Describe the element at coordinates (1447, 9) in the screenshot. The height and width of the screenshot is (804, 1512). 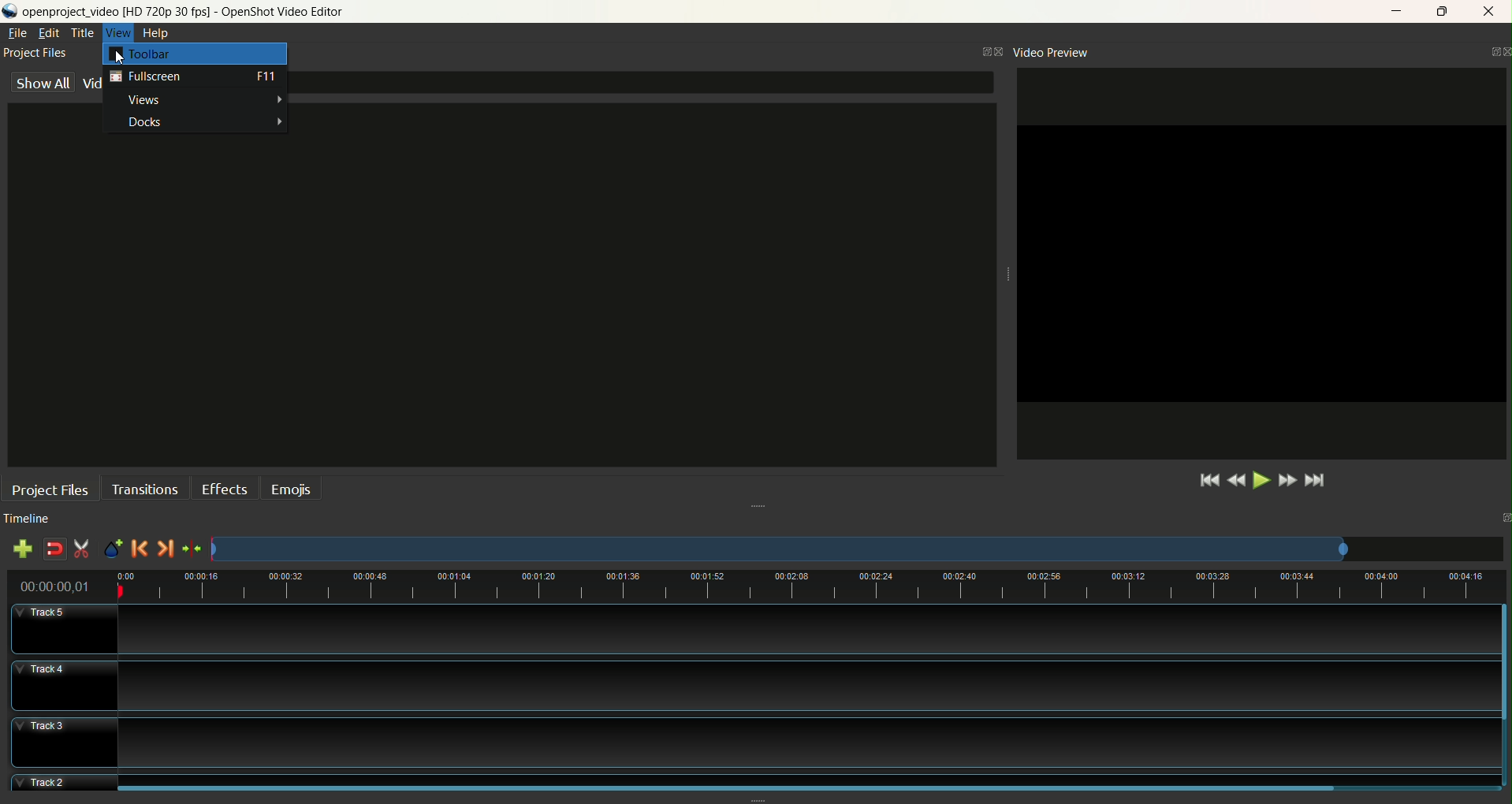
I see `maximize` at that location.